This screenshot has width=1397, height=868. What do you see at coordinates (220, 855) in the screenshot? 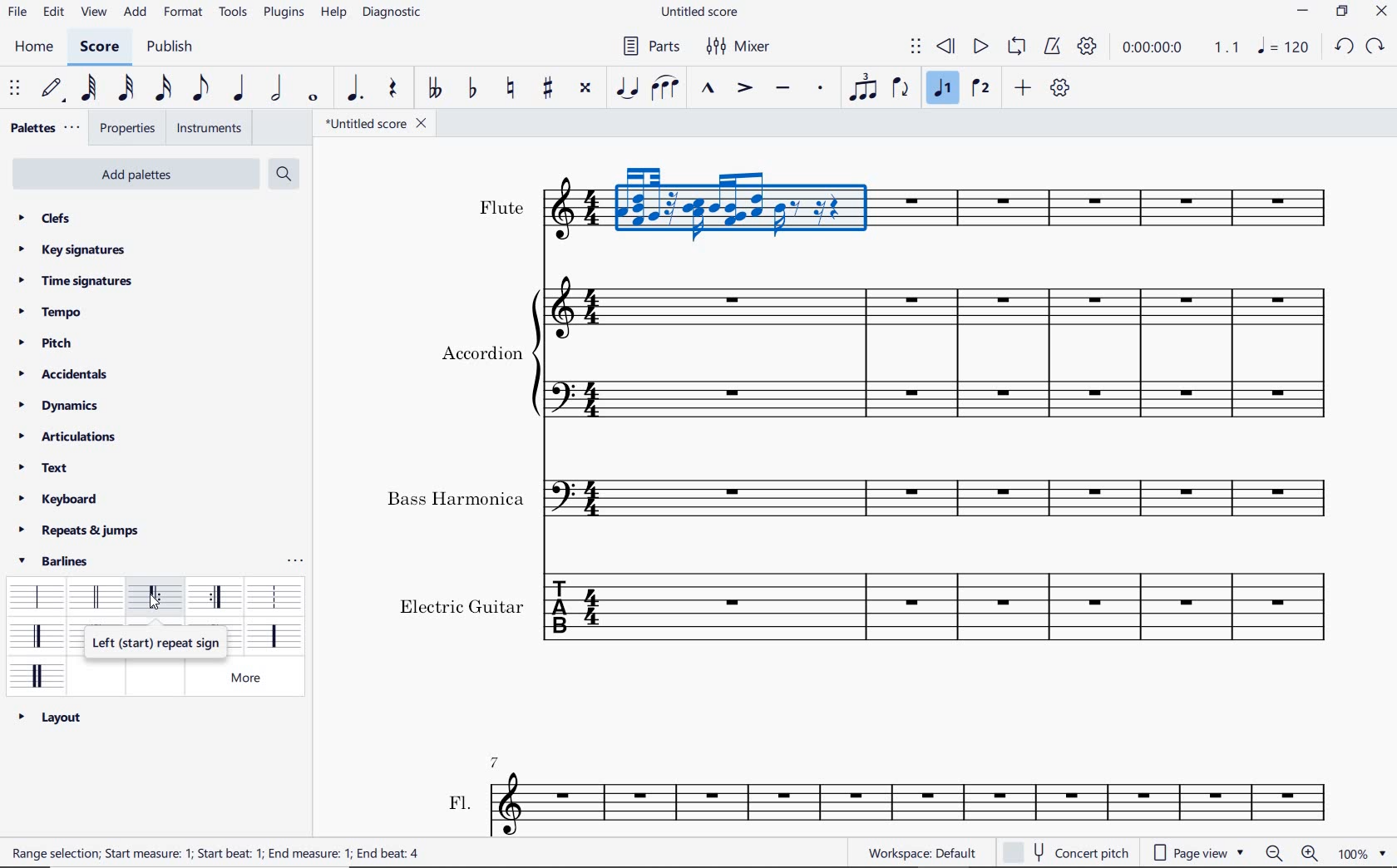
I see `text` at bounding box center [220, 855].